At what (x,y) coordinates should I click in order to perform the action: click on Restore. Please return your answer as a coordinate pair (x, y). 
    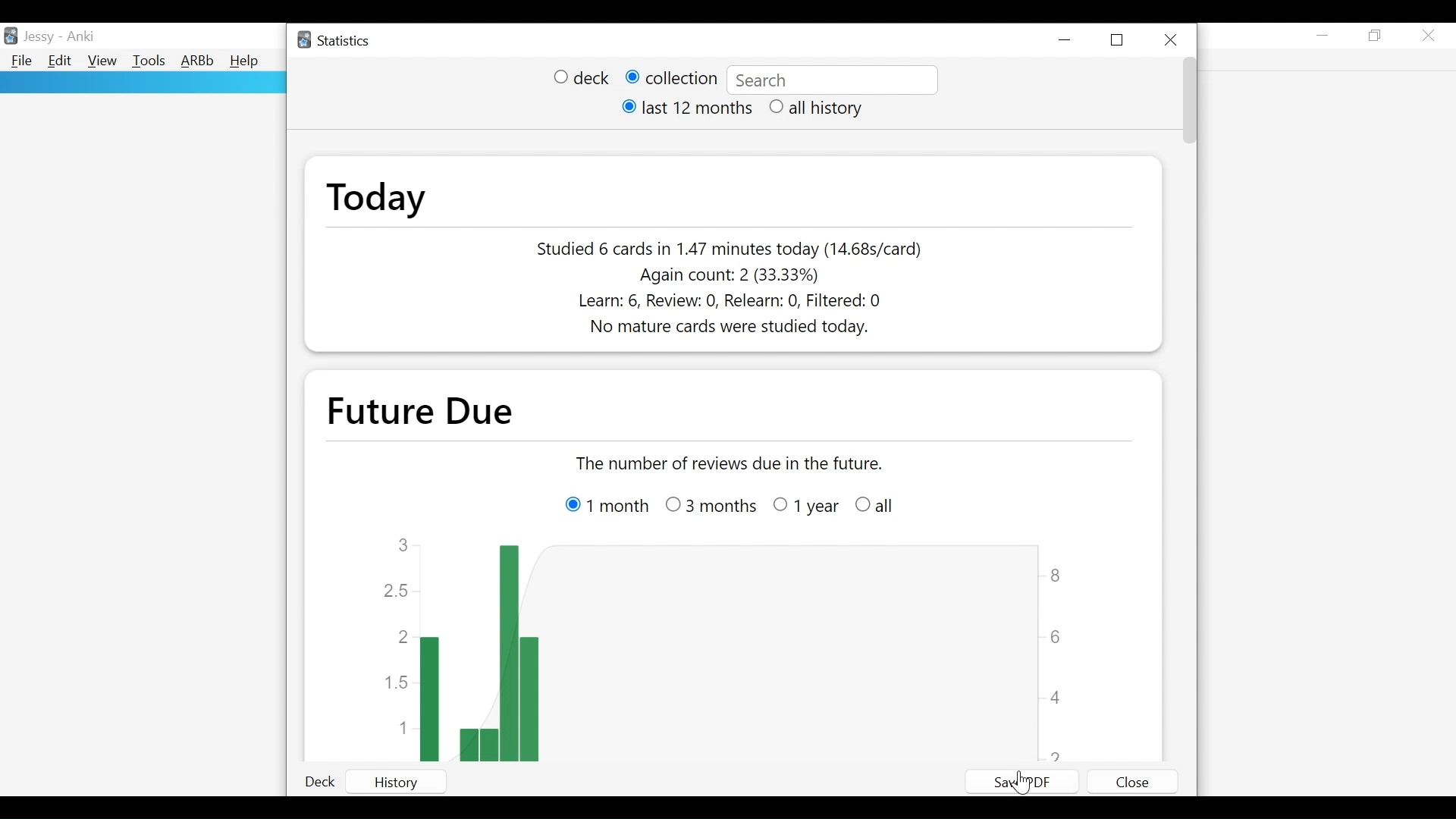
    Looking at the image, I should click on (1120, 39).